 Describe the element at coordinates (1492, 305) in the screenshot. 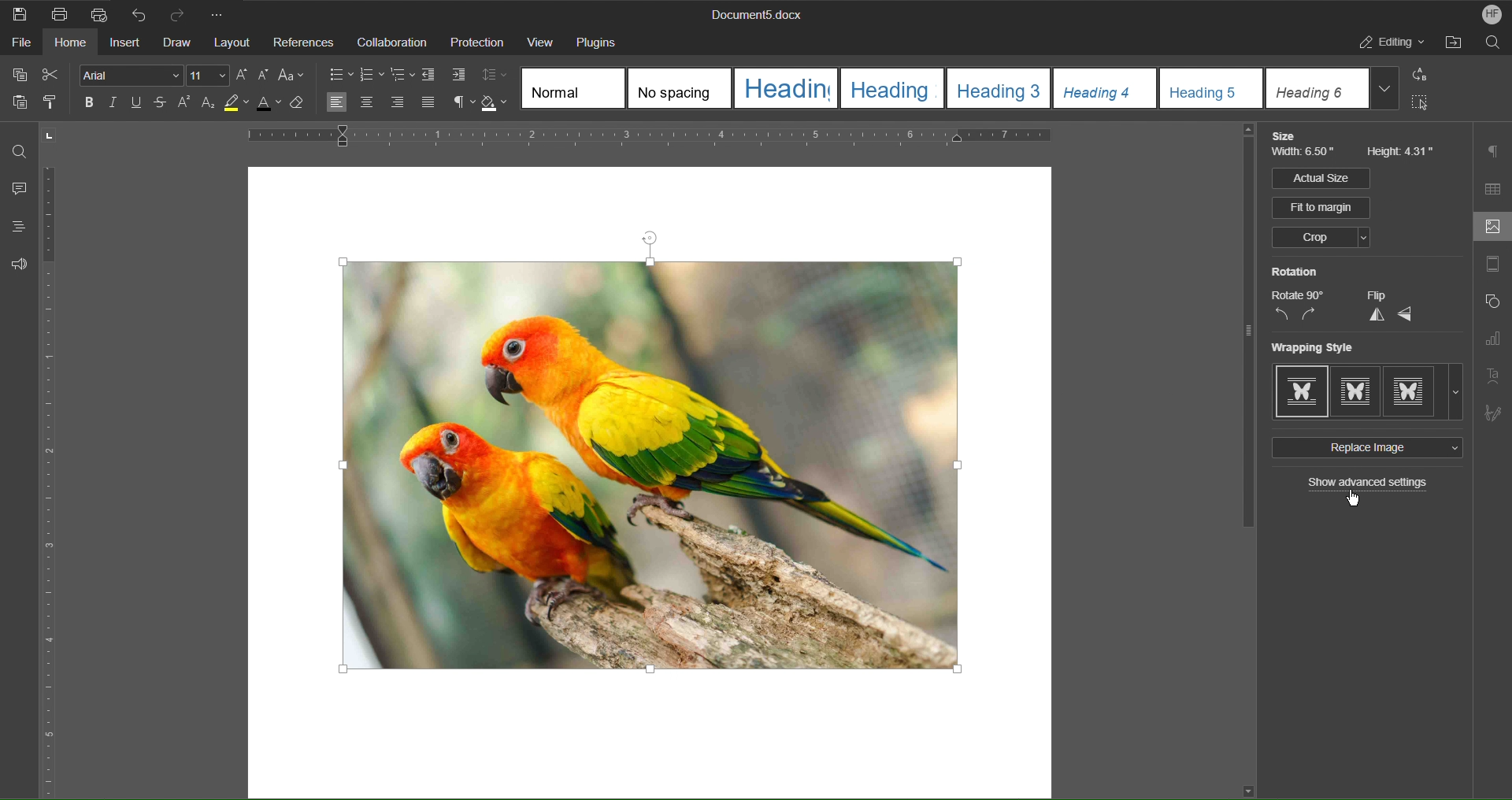

I see `Shape Settings` at that location.